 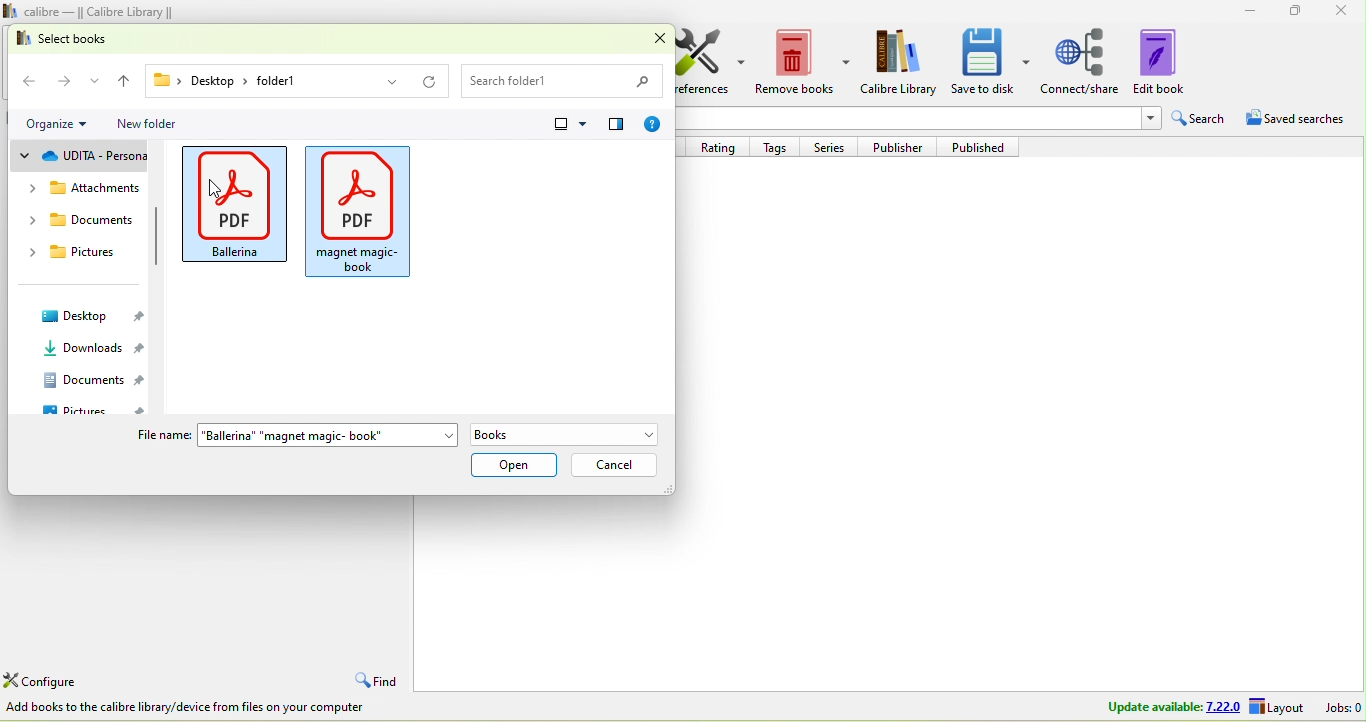 I want to click on layout, so click(x=1279, y=707).